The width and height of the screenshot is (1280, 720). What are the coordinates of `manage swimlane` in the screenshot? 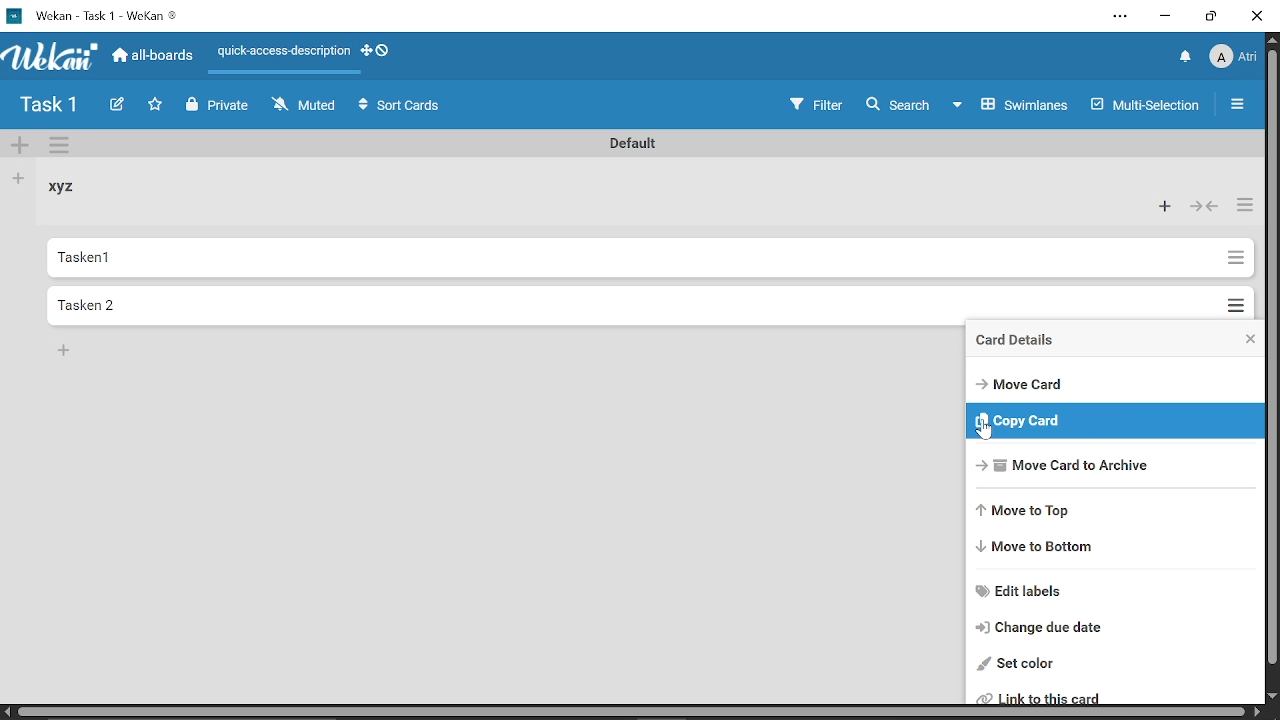 It's located at (62, 147).